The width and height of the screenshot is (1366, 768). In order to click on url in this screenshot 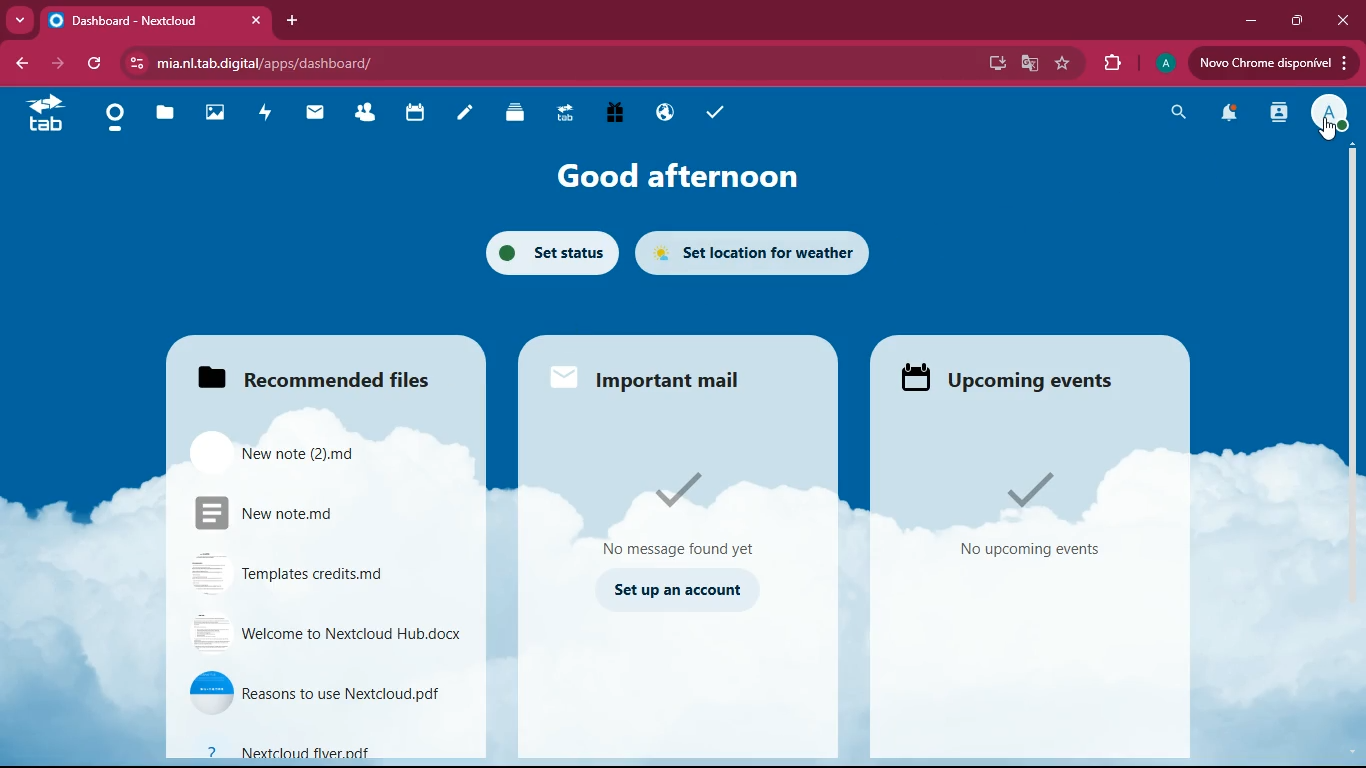, I will do `click(349, 63)`.